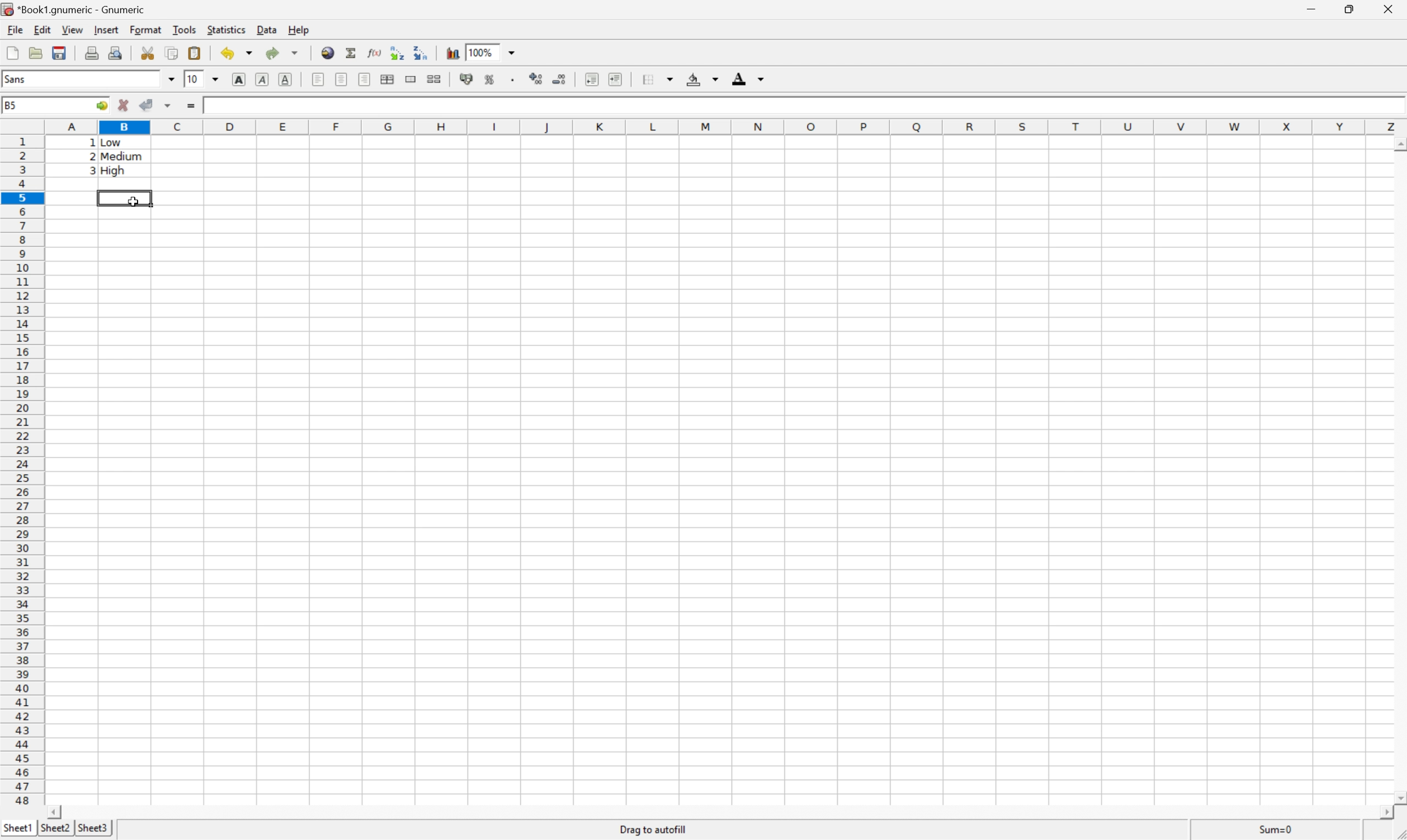  Describe the element at coordinates (167, 106) in the screenshot. I see `Accept changes in multiple cells` at that location.